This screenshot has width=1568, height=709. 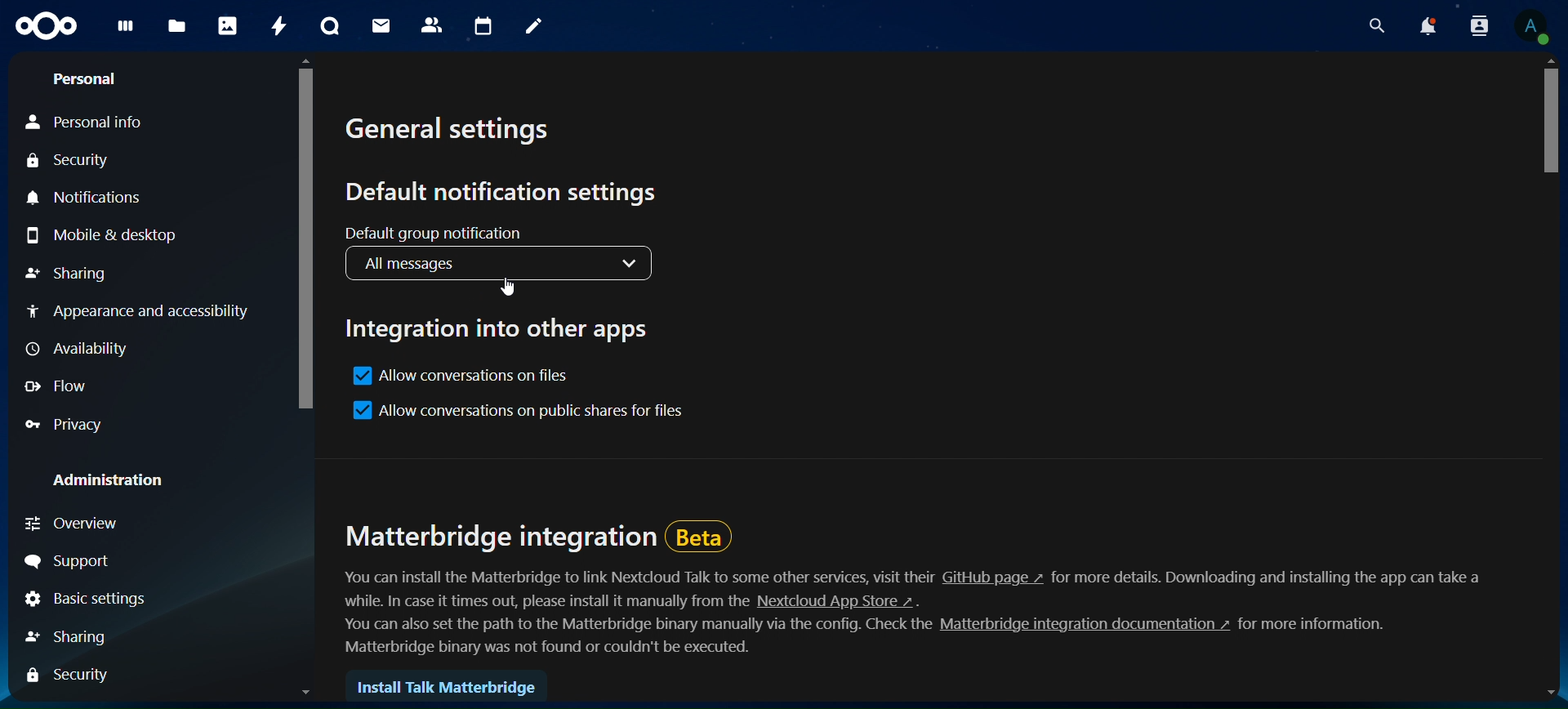 What do you see at coordinates (75, 636) in the screenshot?
I see `sharing` at bounding box center [75, 636].